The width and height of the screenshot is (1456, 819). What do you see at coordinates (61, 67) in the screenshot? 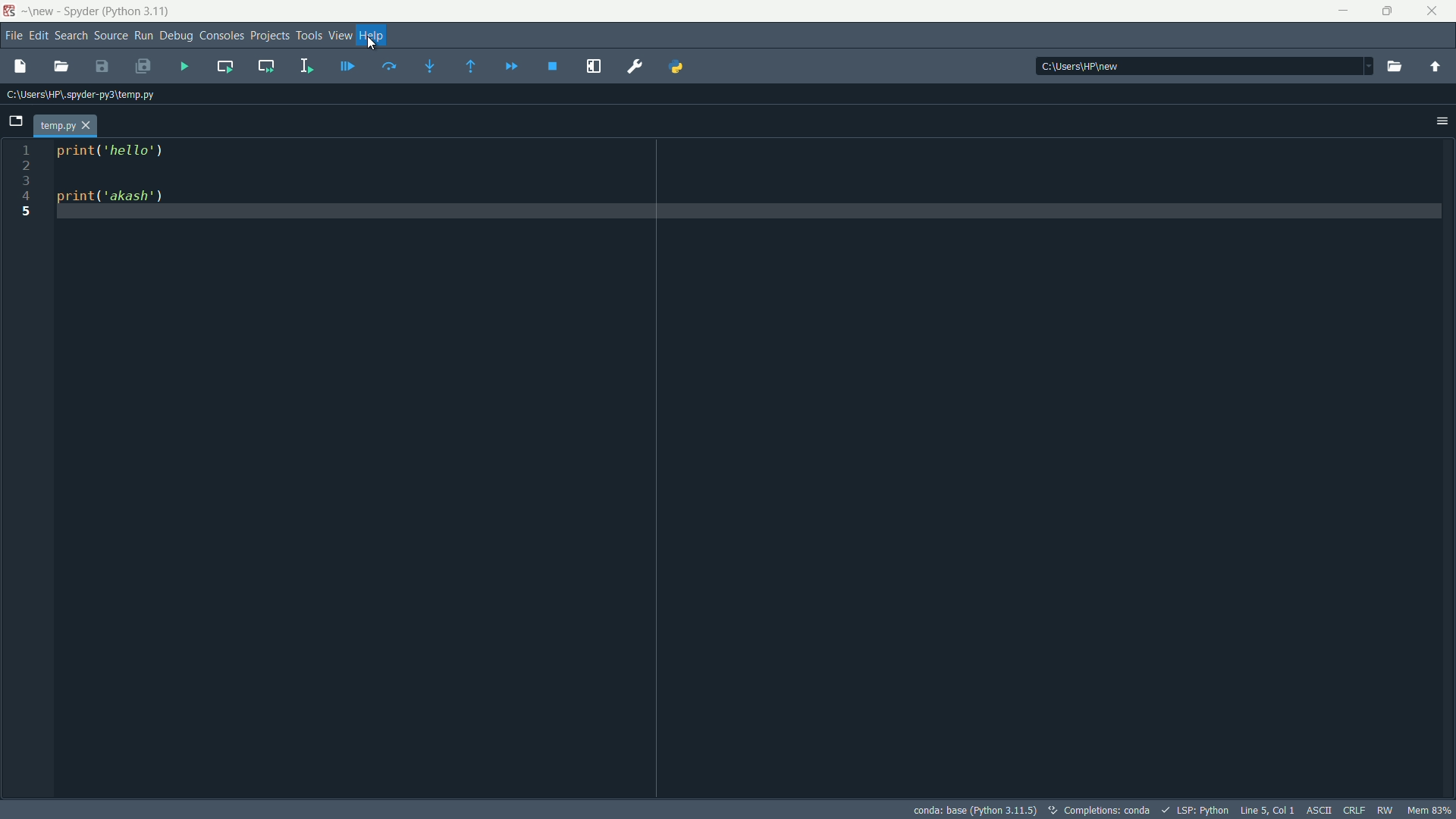
I see `open file` at bounding box center [61, 67].